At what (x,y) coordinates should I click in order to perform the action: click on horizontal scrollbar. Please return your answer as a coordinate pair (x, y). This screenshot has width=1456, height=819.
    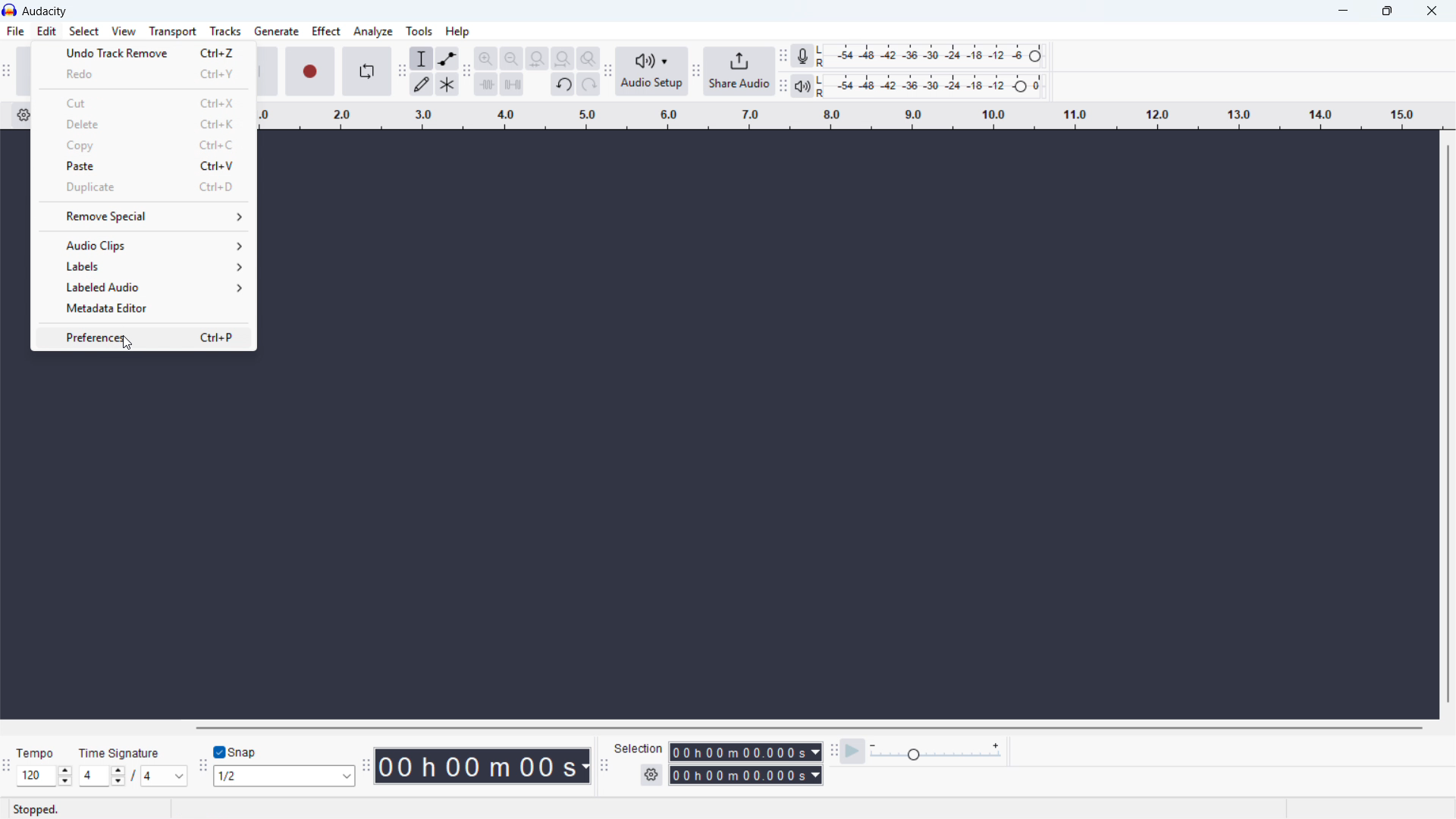
    Looking at the image, I should click on (807, 728).